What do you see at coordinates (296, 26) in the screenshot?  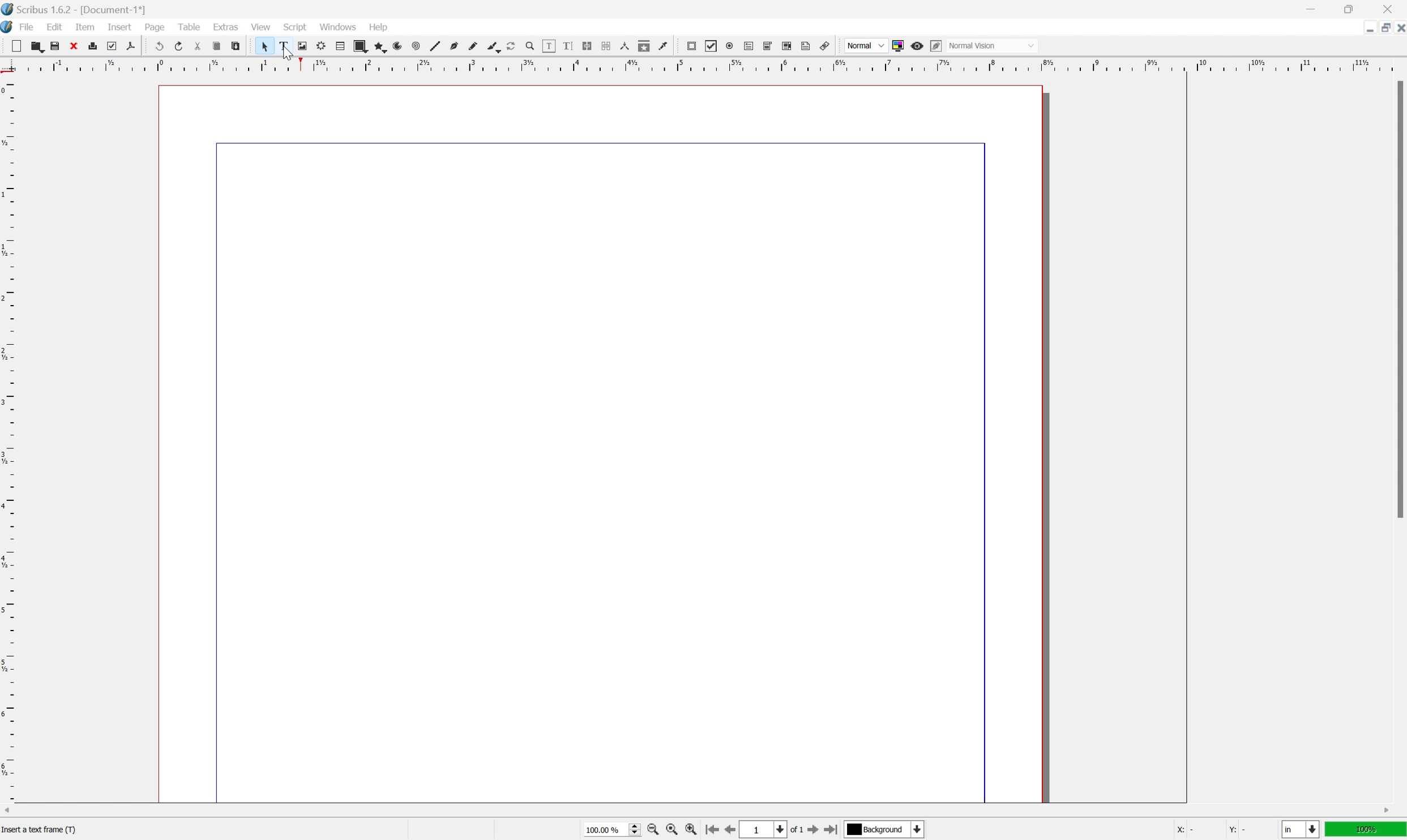 I see `script` at bounding box center [296, 26].